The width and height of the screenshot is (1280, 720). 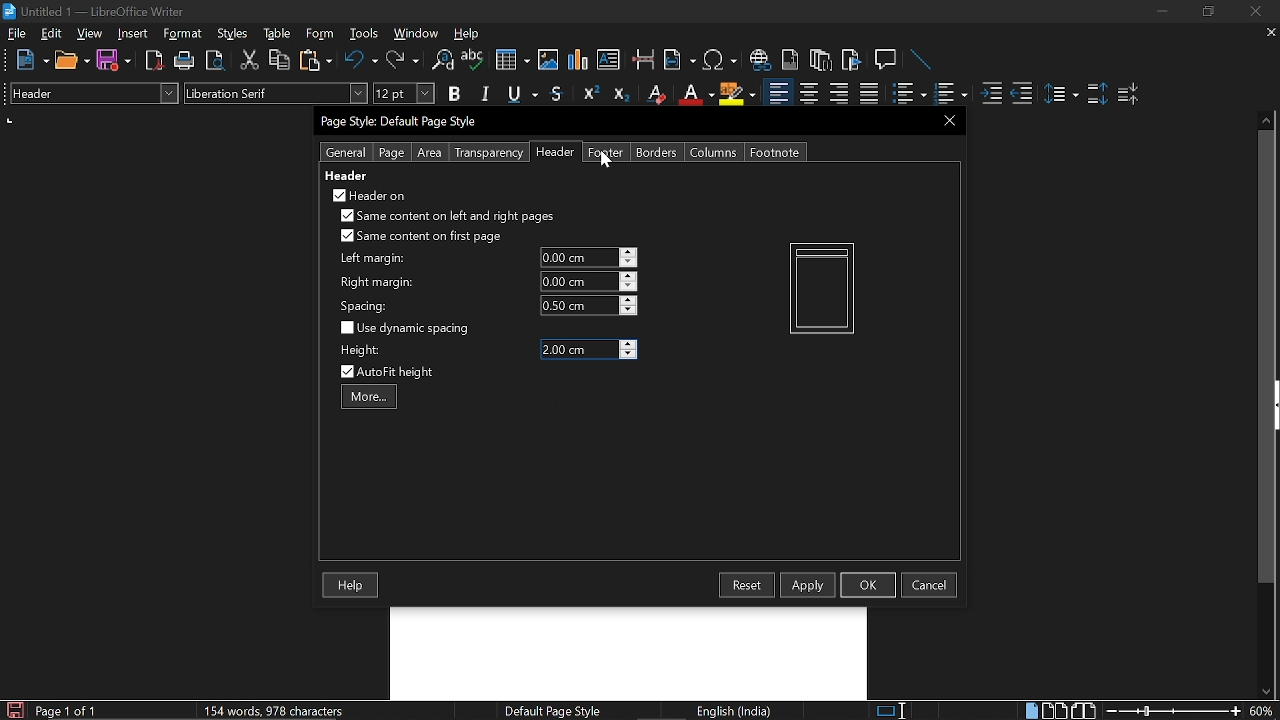 What do you see at coordinates (347, 152) in the screenshot?
I see `General` at bounding box center [347, 152].